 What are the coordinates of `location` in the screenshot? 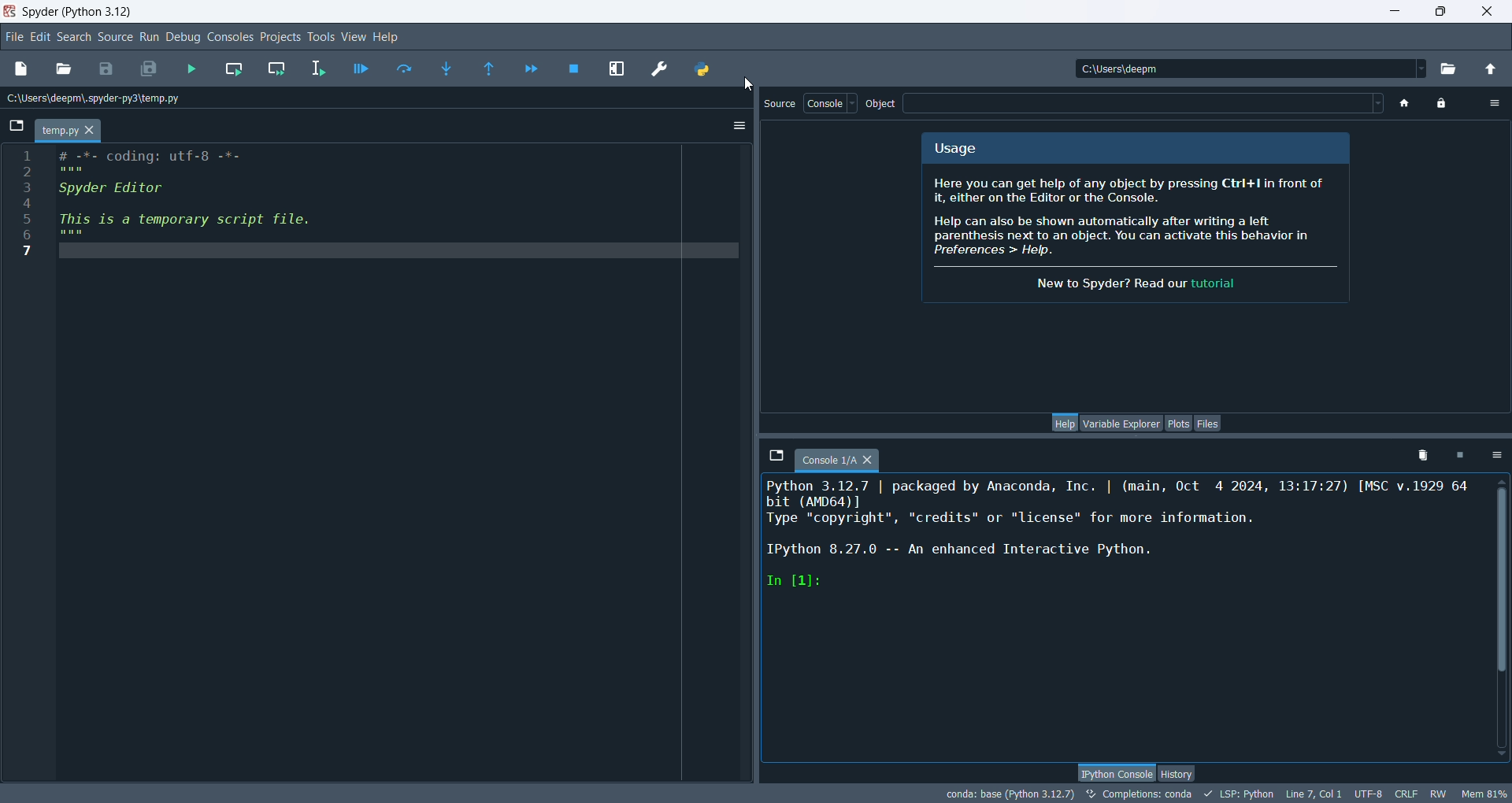 It's located at (91, 98).